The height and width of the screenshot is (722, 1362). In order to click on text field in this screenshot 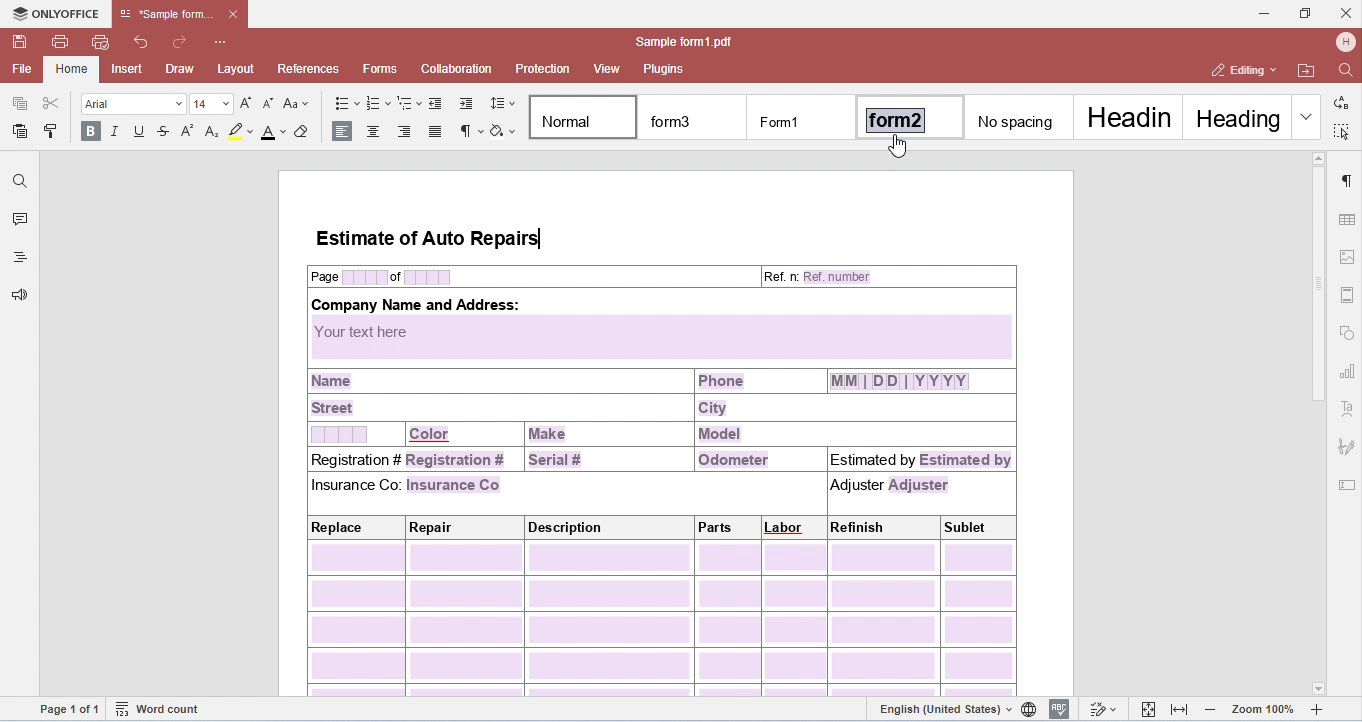, I will do `click(1347, 486)`.